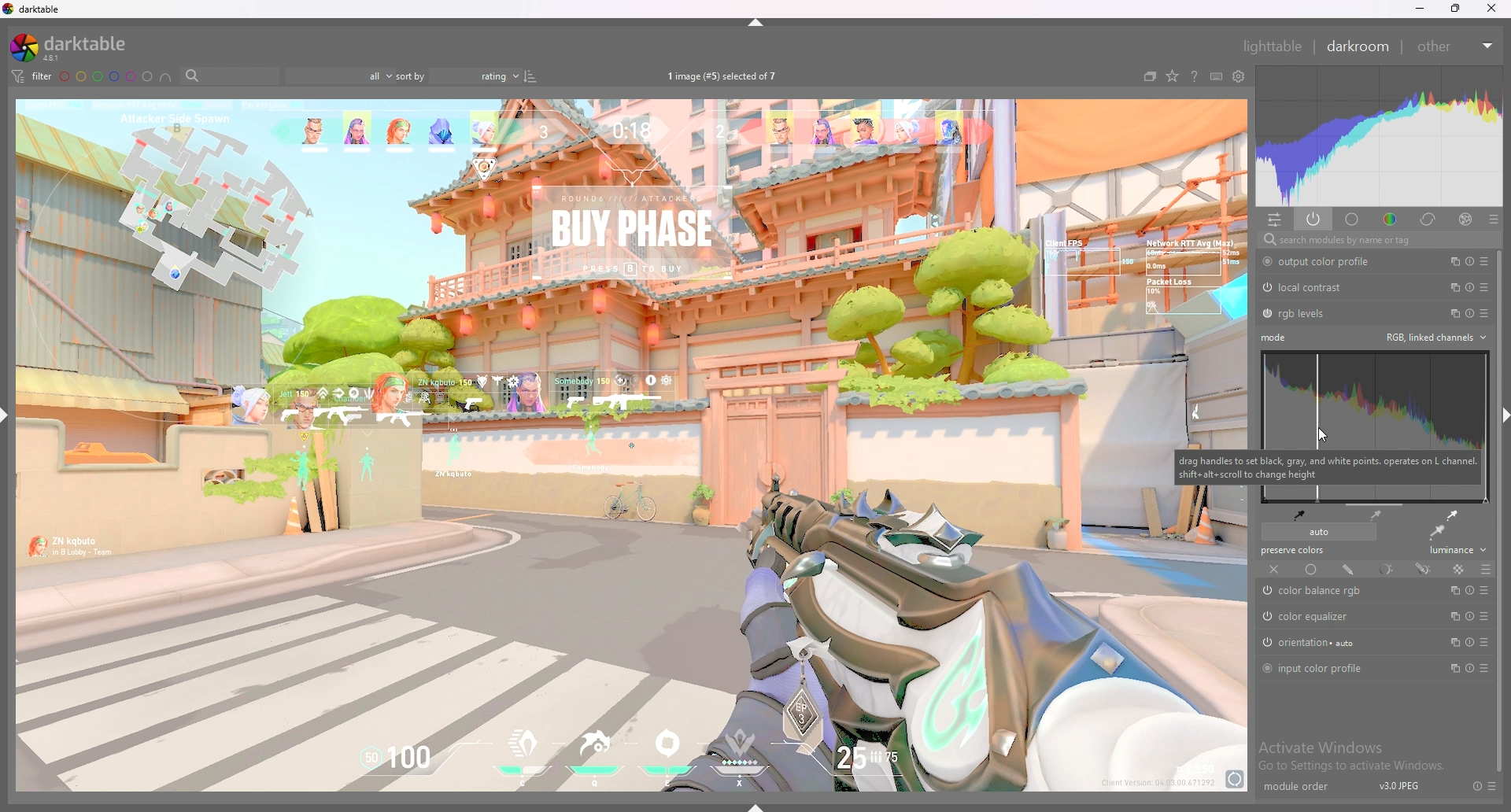 Image resolution: width=1511 pixels, height=812 pixels. What do you see at coordinates (1304, 314) in the screenshot?
I see `rgb levels` at bounding box center [1304, 314].